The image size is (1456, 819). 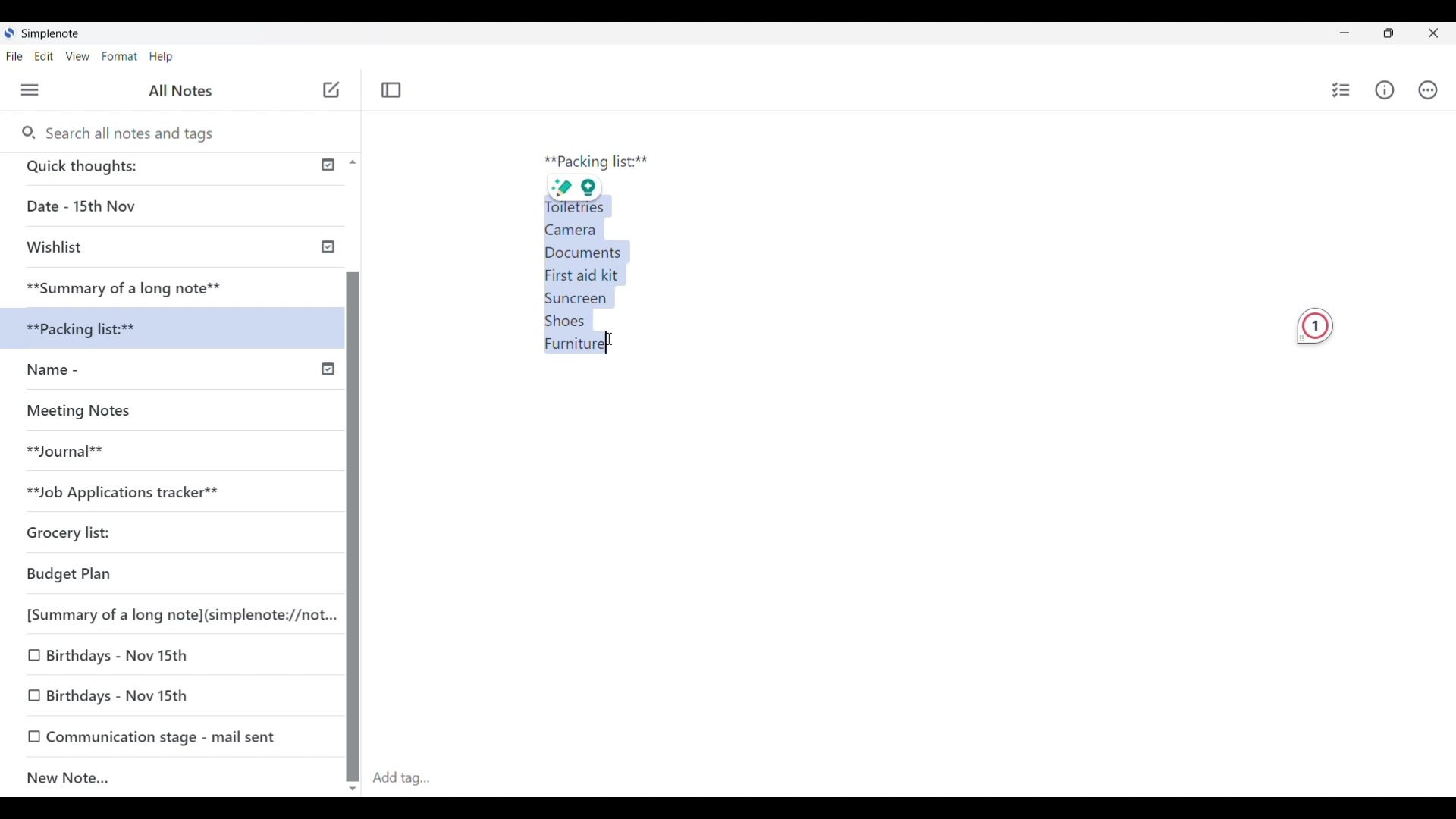 I want to click on Packing list, so click(x=596, y=162).